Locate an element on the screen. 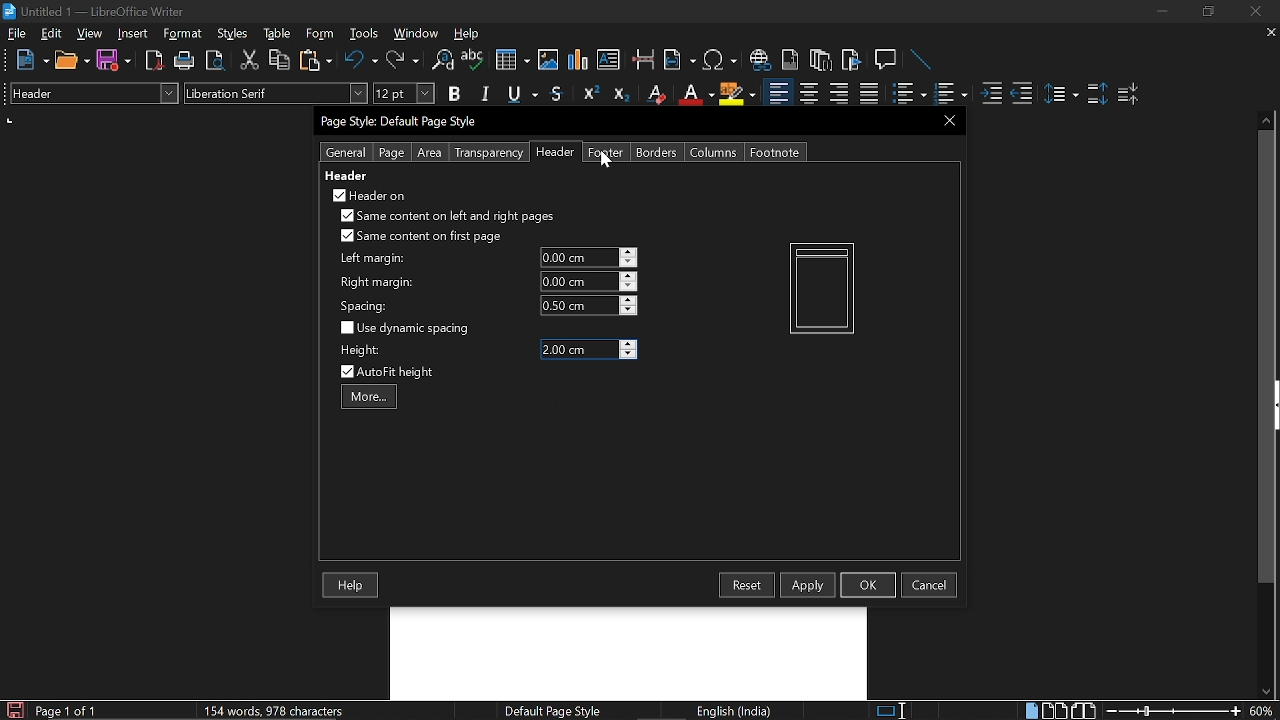 This screenshot has height=720, width=1280.  language is located at coordinates (736, 711).